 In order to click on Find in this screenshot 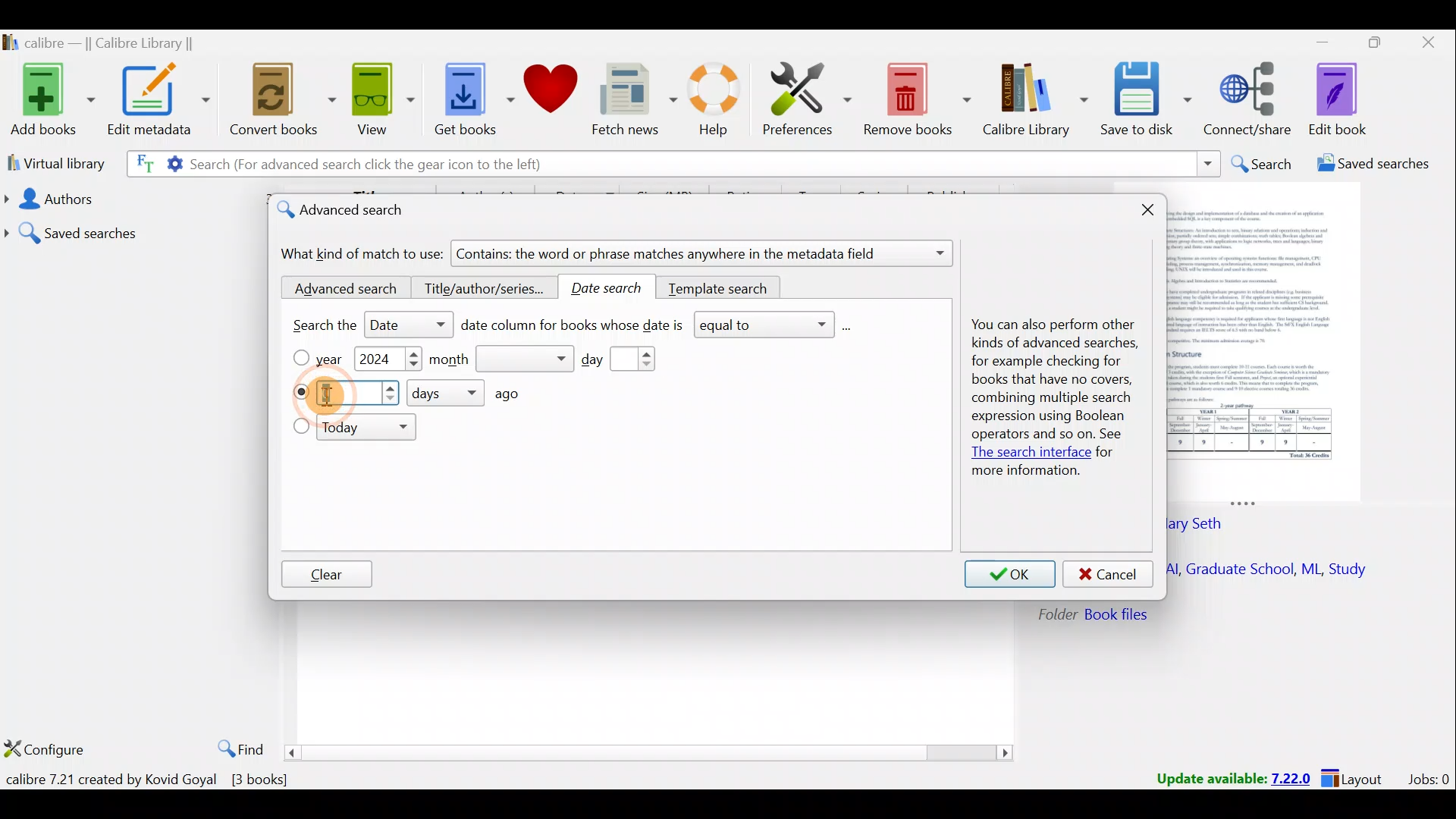, I will do `click(237, 746)`.